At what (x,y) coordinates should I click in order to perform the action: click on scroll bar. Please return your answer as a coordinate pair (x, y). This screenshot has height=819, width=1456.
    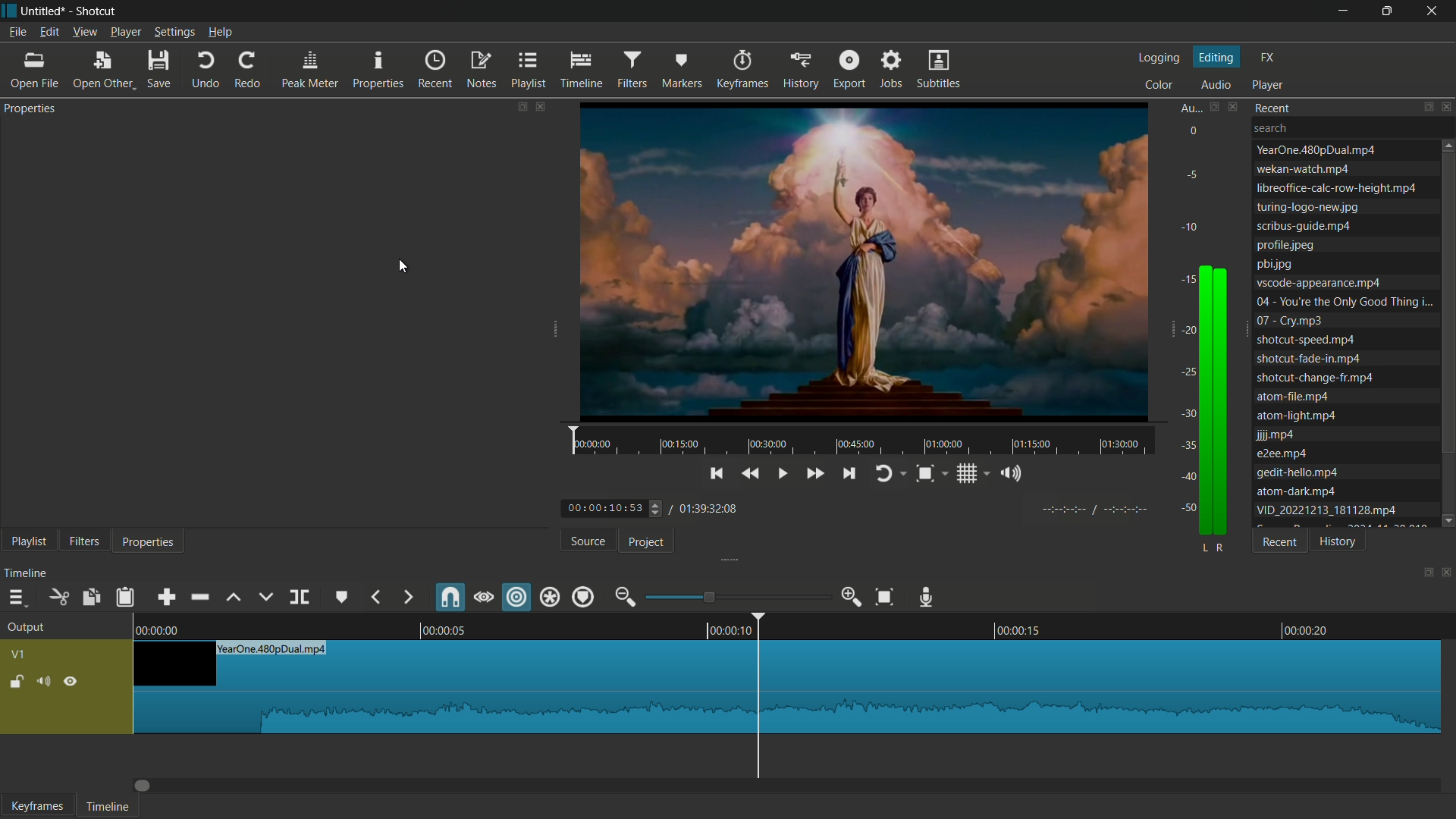
    Looking at the image, I should click on (1447, 303).